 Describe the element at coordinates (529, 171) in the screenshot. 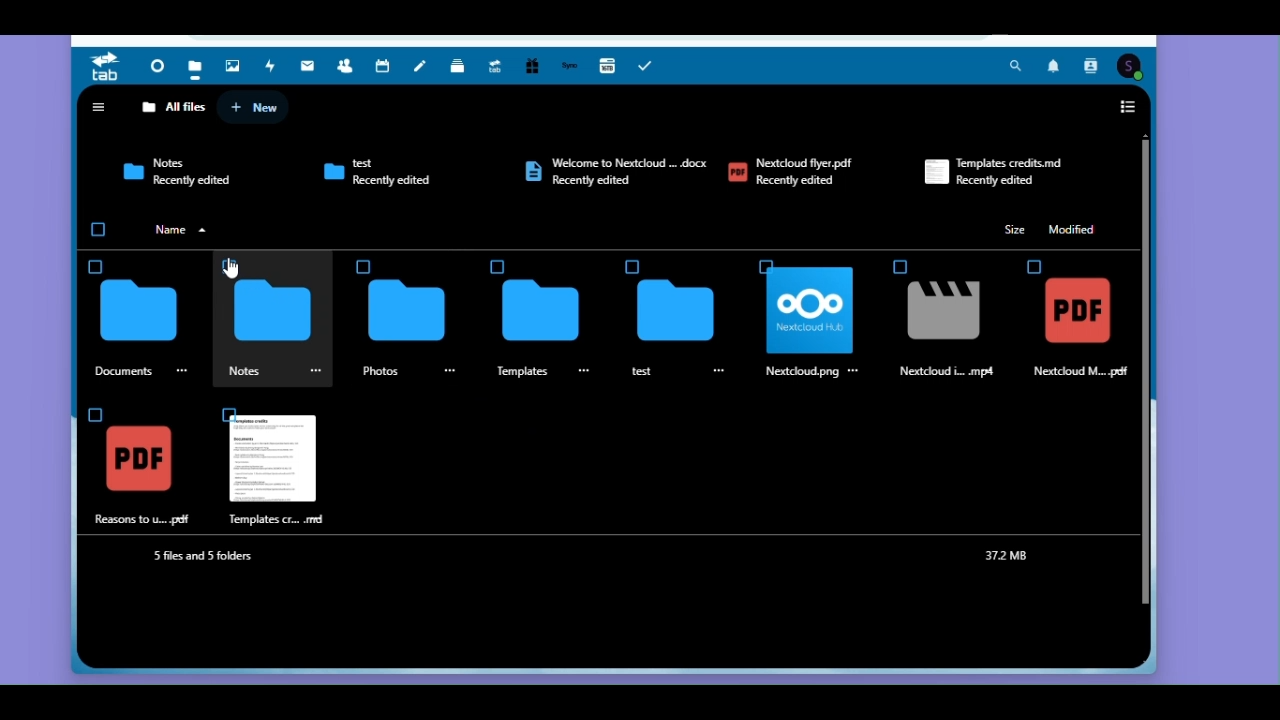

I see `Icon` at that location.